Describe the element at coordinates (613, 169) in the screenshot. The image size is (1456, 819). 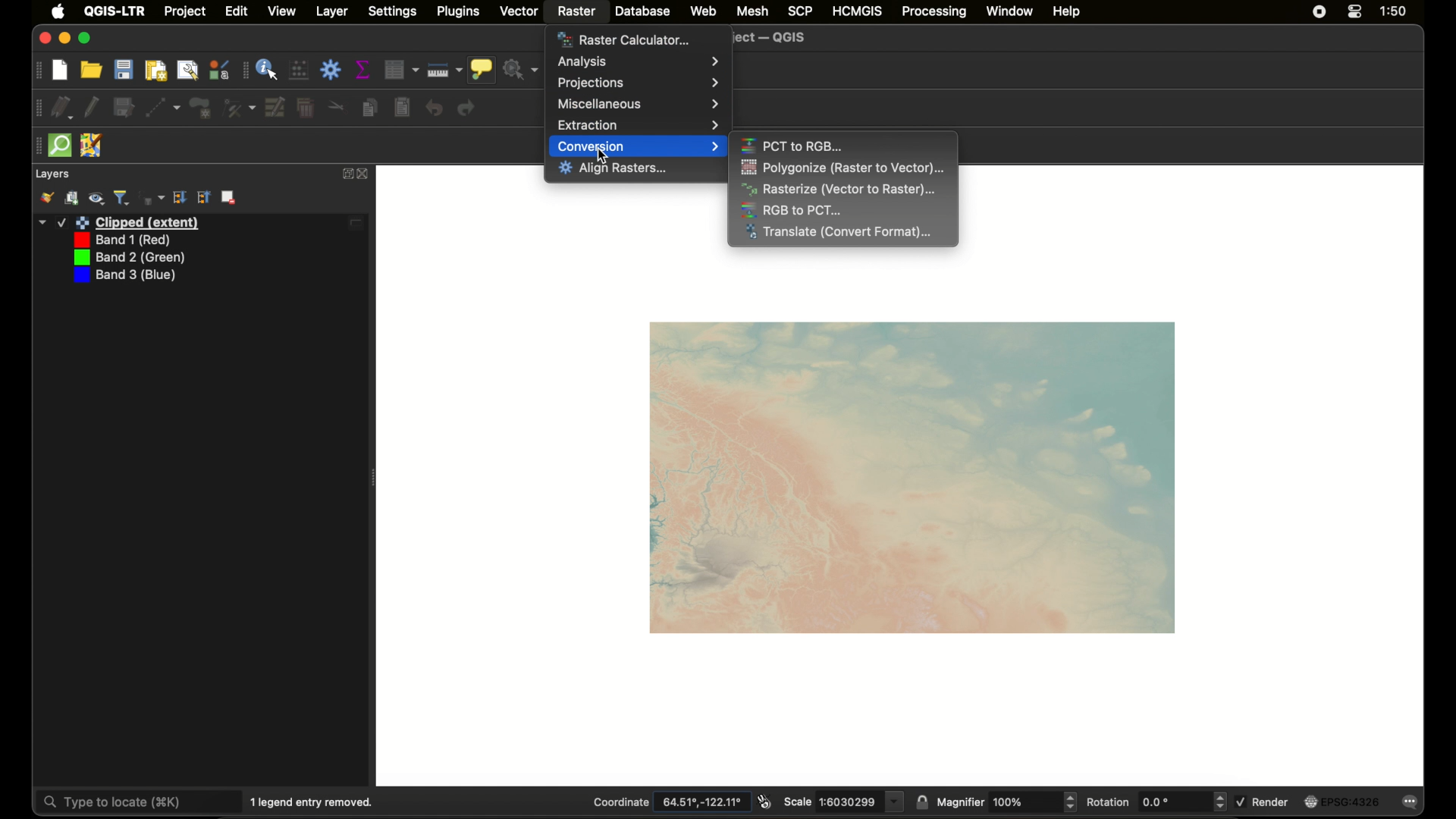
I see `align rasters` at that location.